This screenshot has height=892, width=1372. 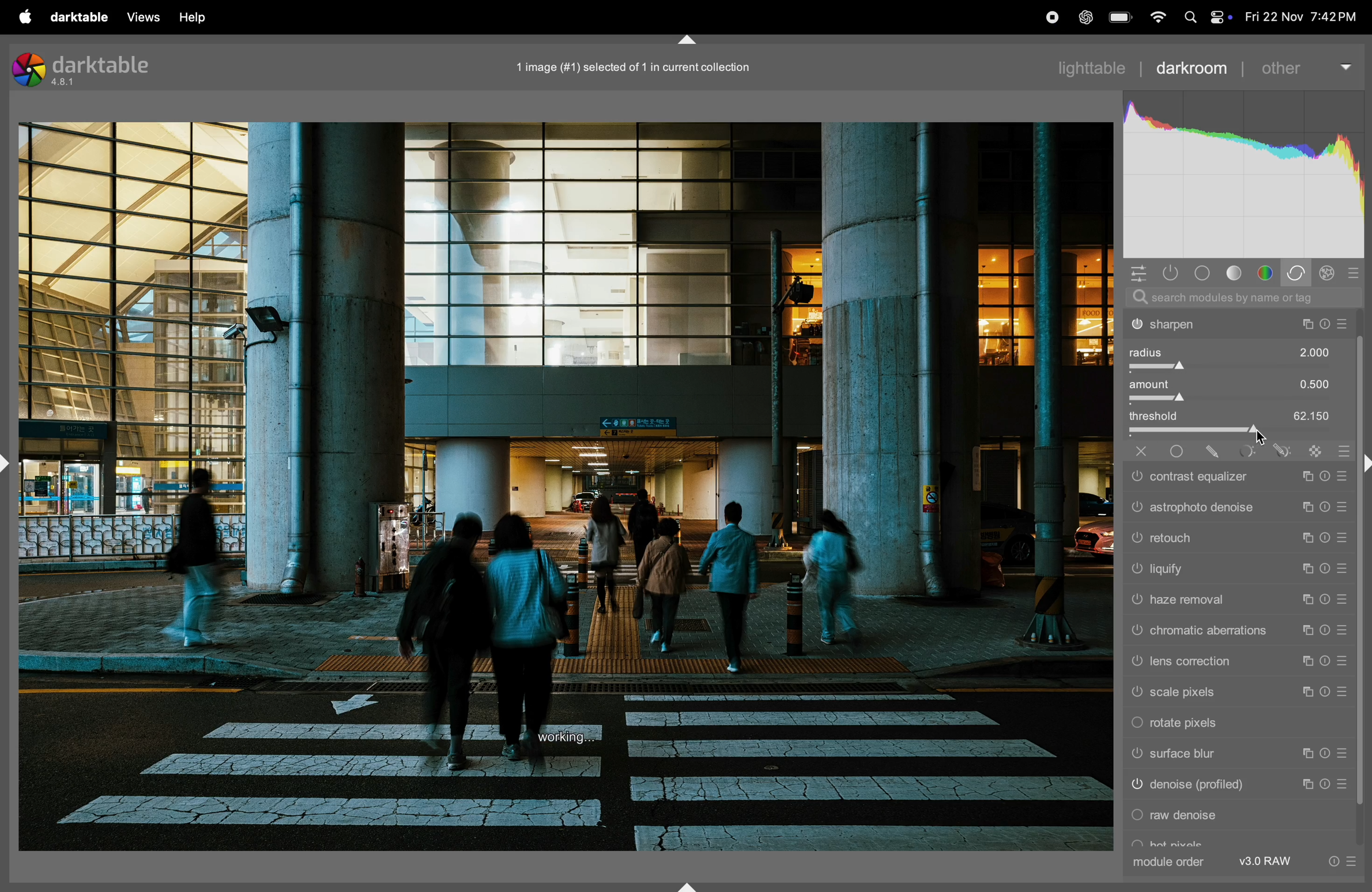 What do you see at coordinates (1121, 17) in the screenshot?
I see `battery` at bounding box center [1121, 17].